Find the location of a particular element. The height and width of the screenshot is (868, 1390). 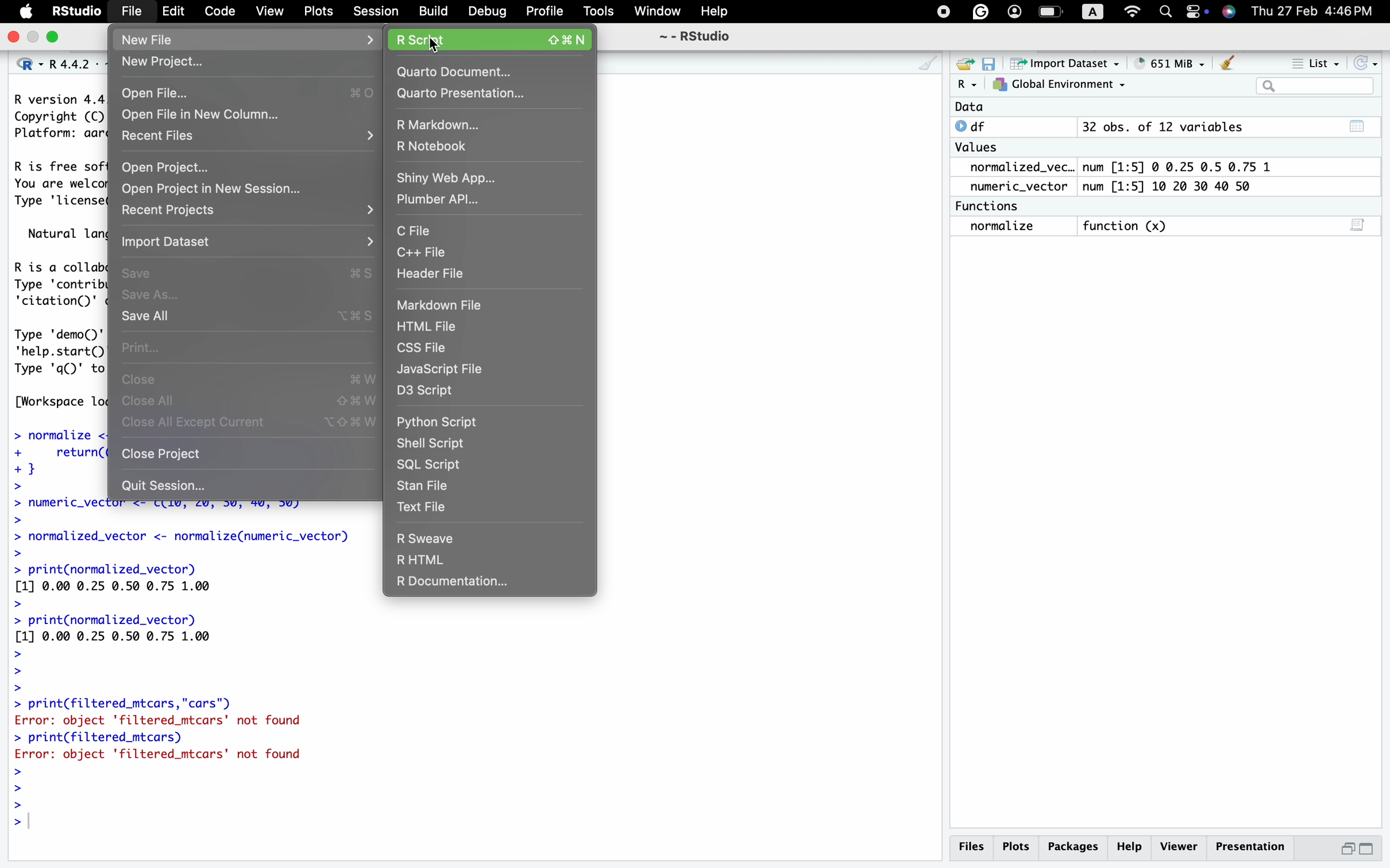

Presentation is located at coordinates (1255, 845).